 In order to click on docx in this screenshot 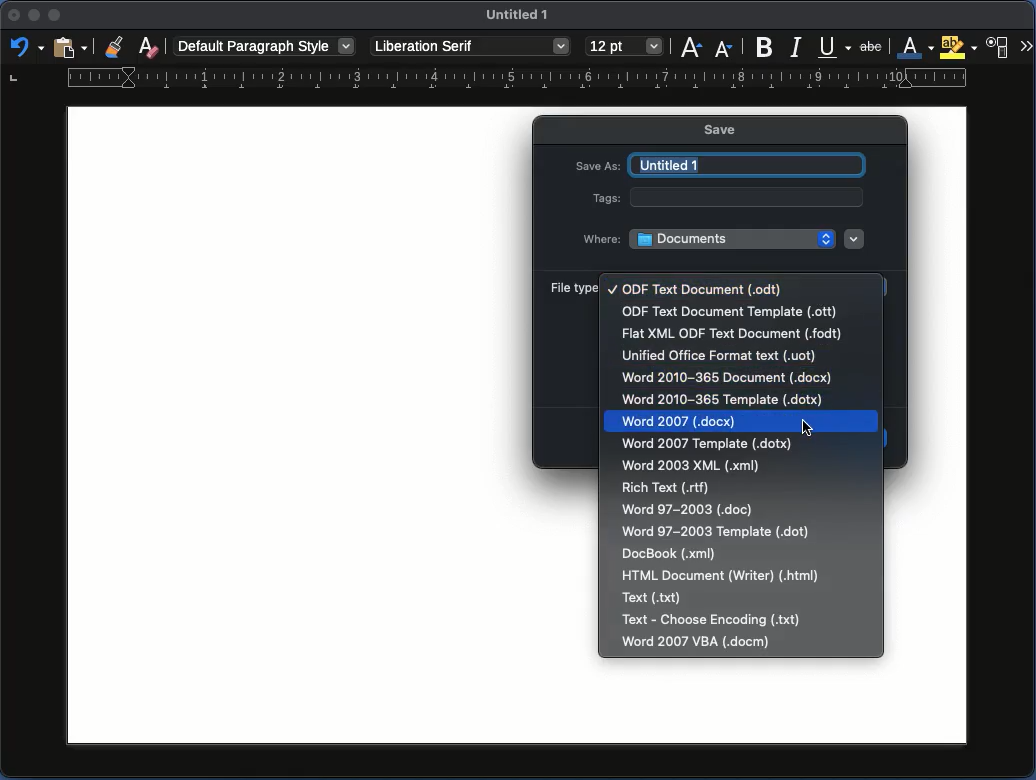, I will do `click(738, 422)`.